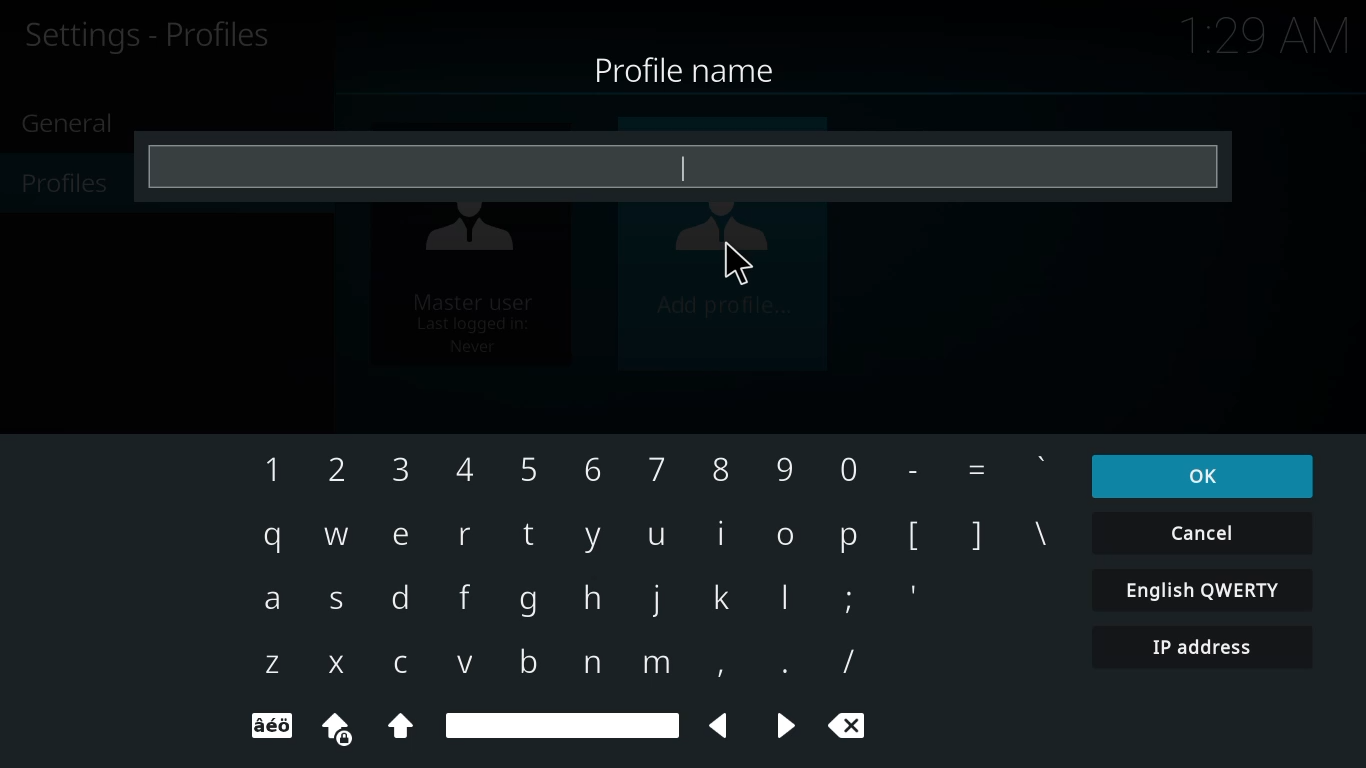  I want to click on backward, so click(778, 726).